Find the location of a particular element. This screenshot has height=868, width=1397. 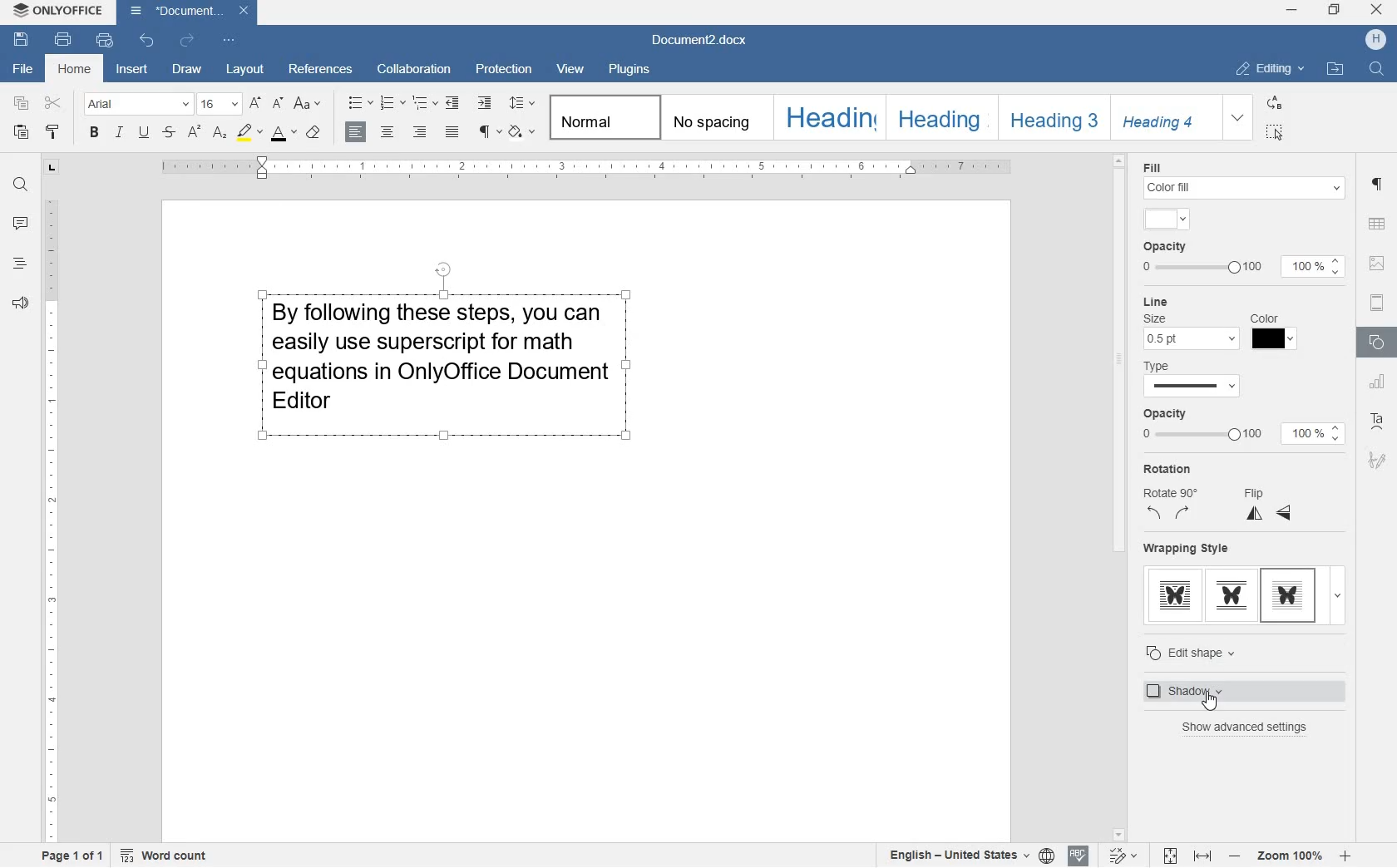

shape settings is located at coordinates (1377, 343).